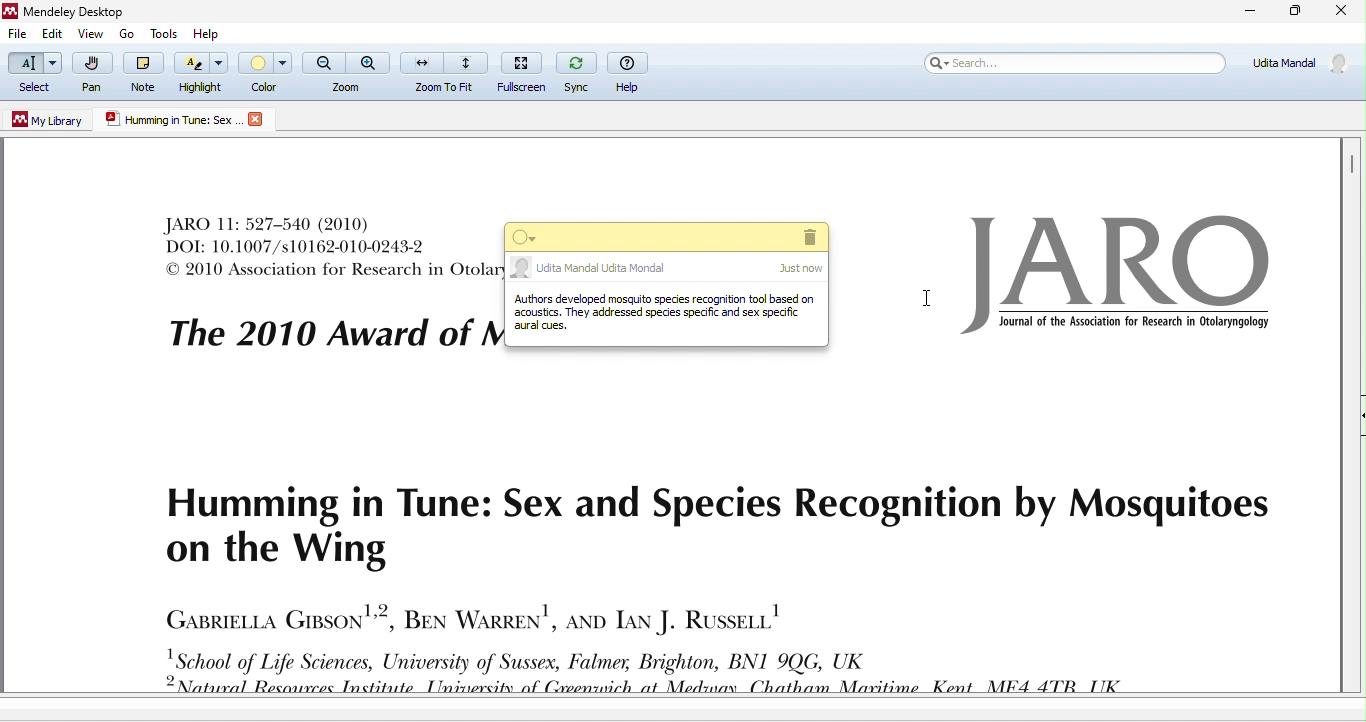 The image size is (1366, 722). Describe the element at coordinates (202, 73) in the screenshot. I see `highlight` at that location.